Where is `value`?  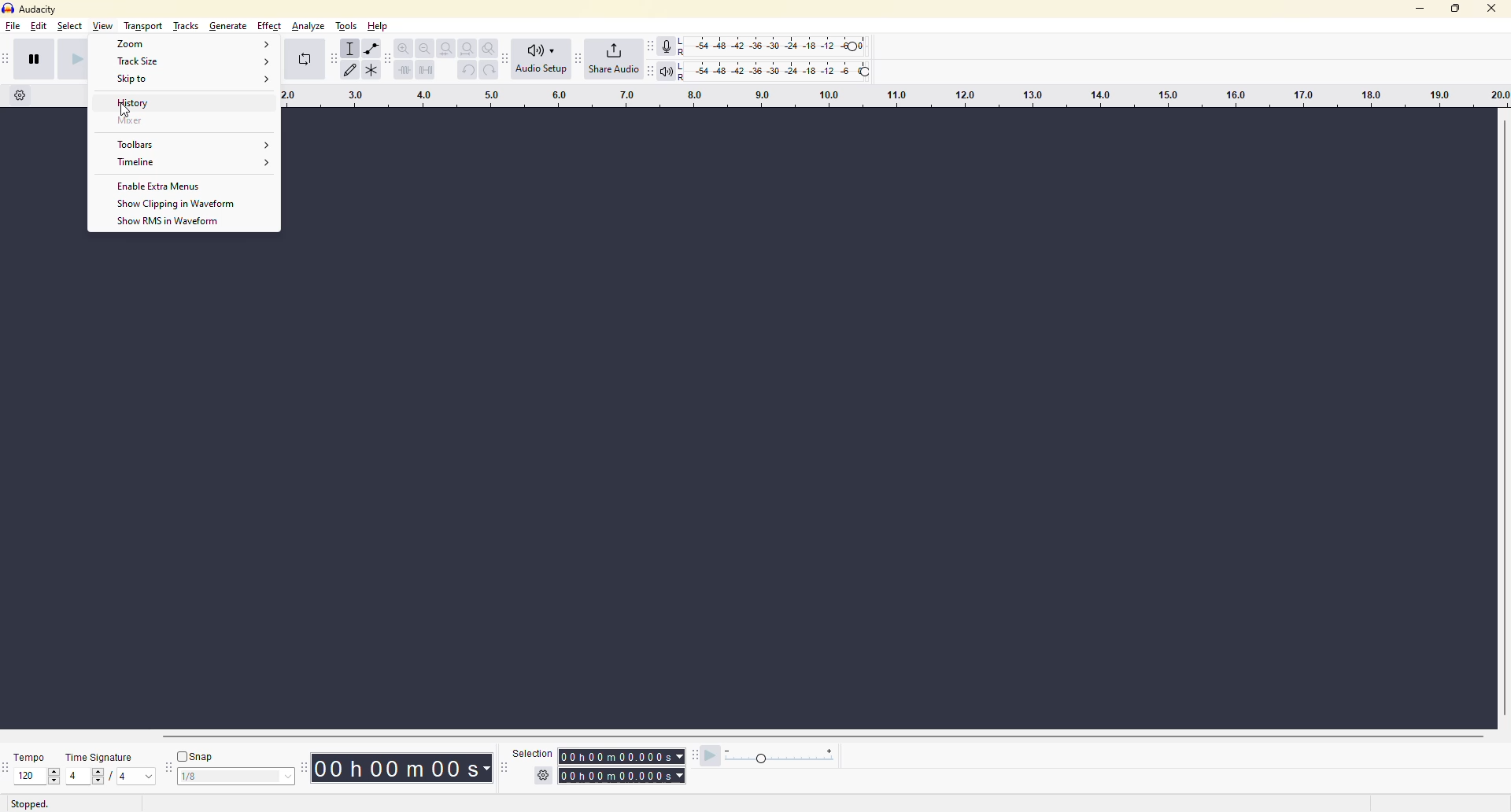 value is located at coordinates (233, 779).